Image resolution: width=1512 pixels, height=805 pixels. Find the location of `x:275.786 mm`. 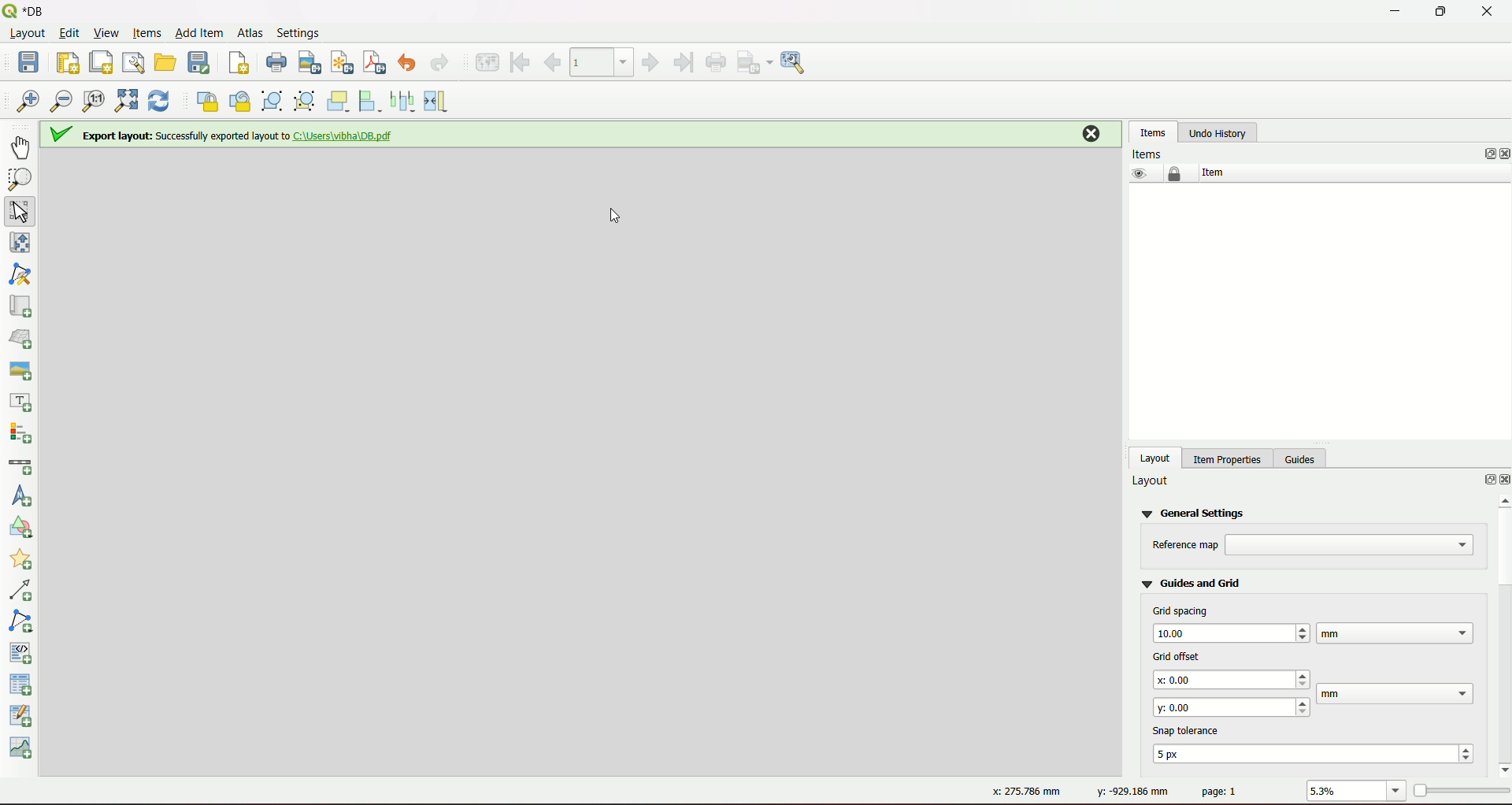

x:275.786 mm is located at coordinates (1032, 792).